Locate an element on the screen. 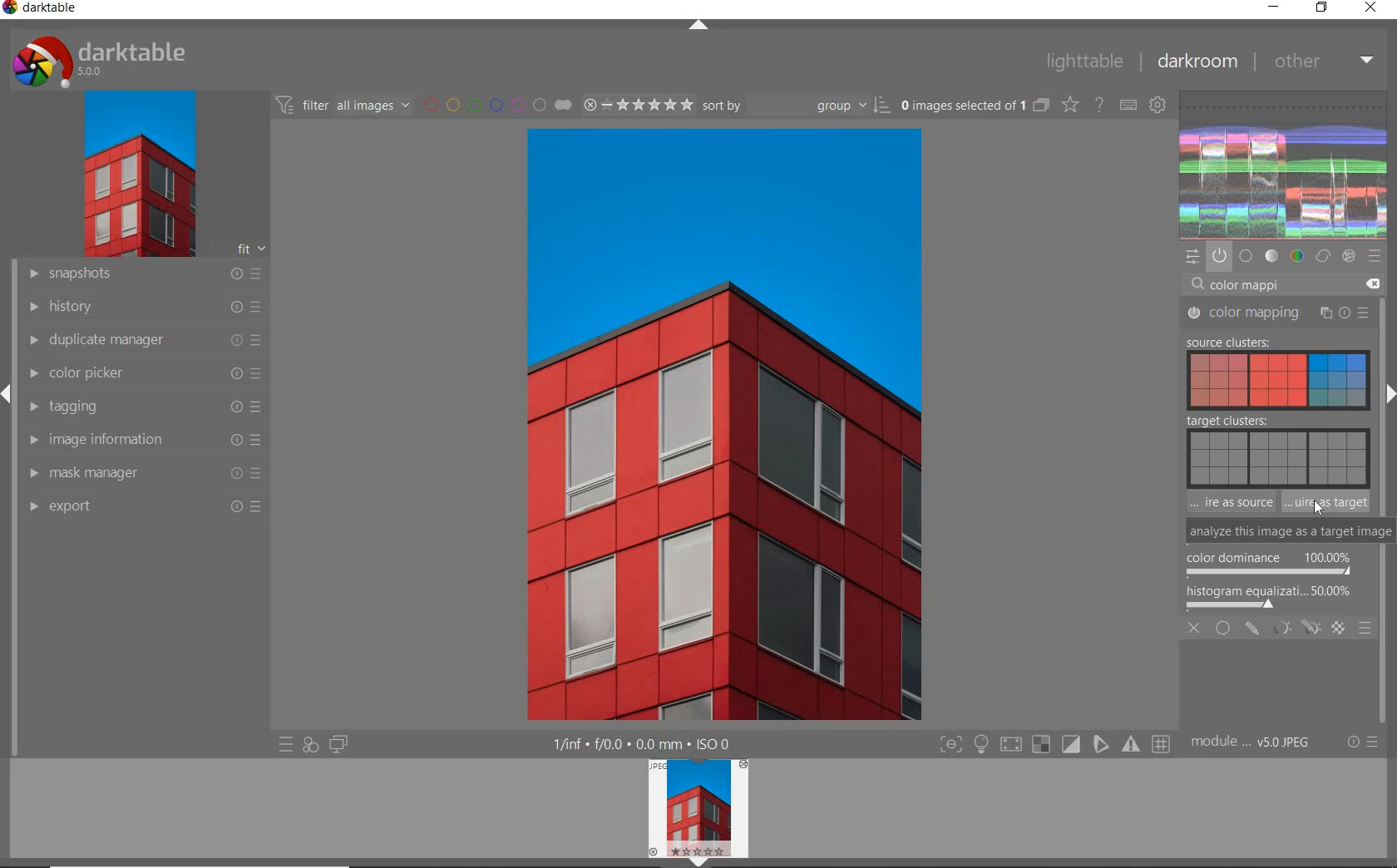 The image size is (1397, 868). filter images is located at coordinates (342, 104).